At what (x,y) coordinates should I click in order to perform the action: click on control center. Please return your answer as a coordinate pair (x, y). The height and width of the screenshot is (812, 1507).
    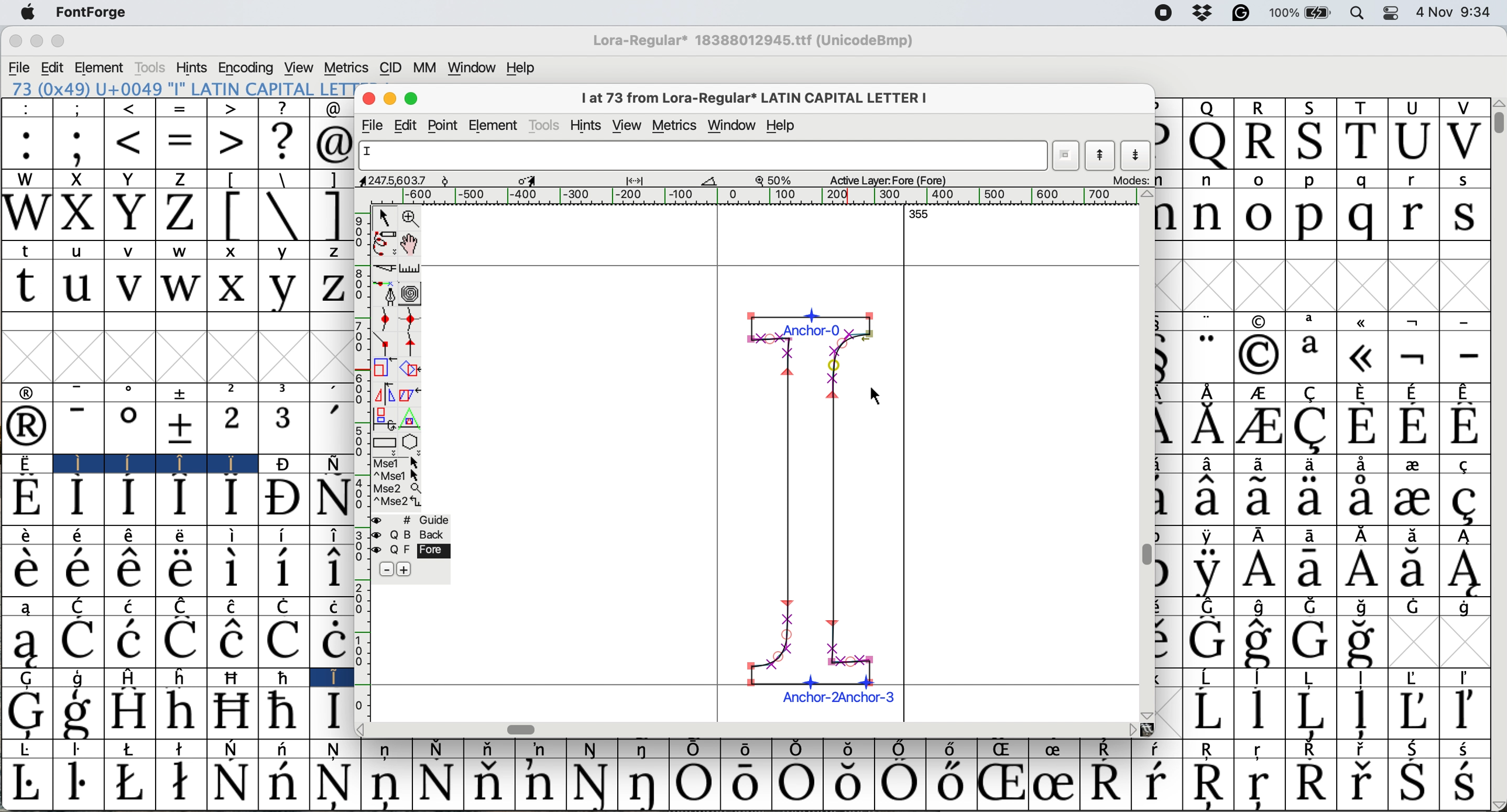
    Looking at the image, I should click on (1393, 14).